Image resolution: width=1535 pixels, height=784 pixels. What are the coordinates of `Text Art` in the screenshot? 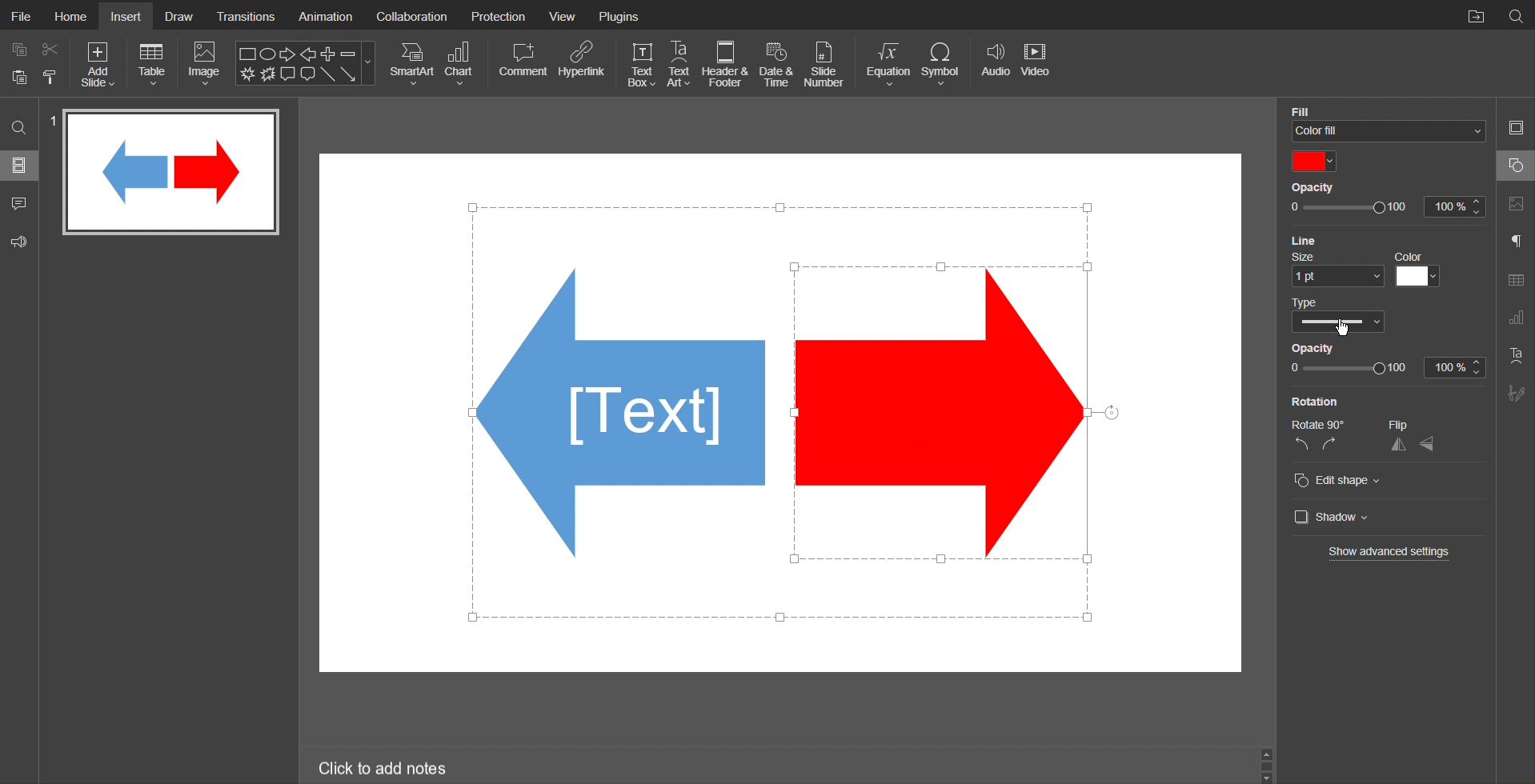 It's located at (1514, 355).